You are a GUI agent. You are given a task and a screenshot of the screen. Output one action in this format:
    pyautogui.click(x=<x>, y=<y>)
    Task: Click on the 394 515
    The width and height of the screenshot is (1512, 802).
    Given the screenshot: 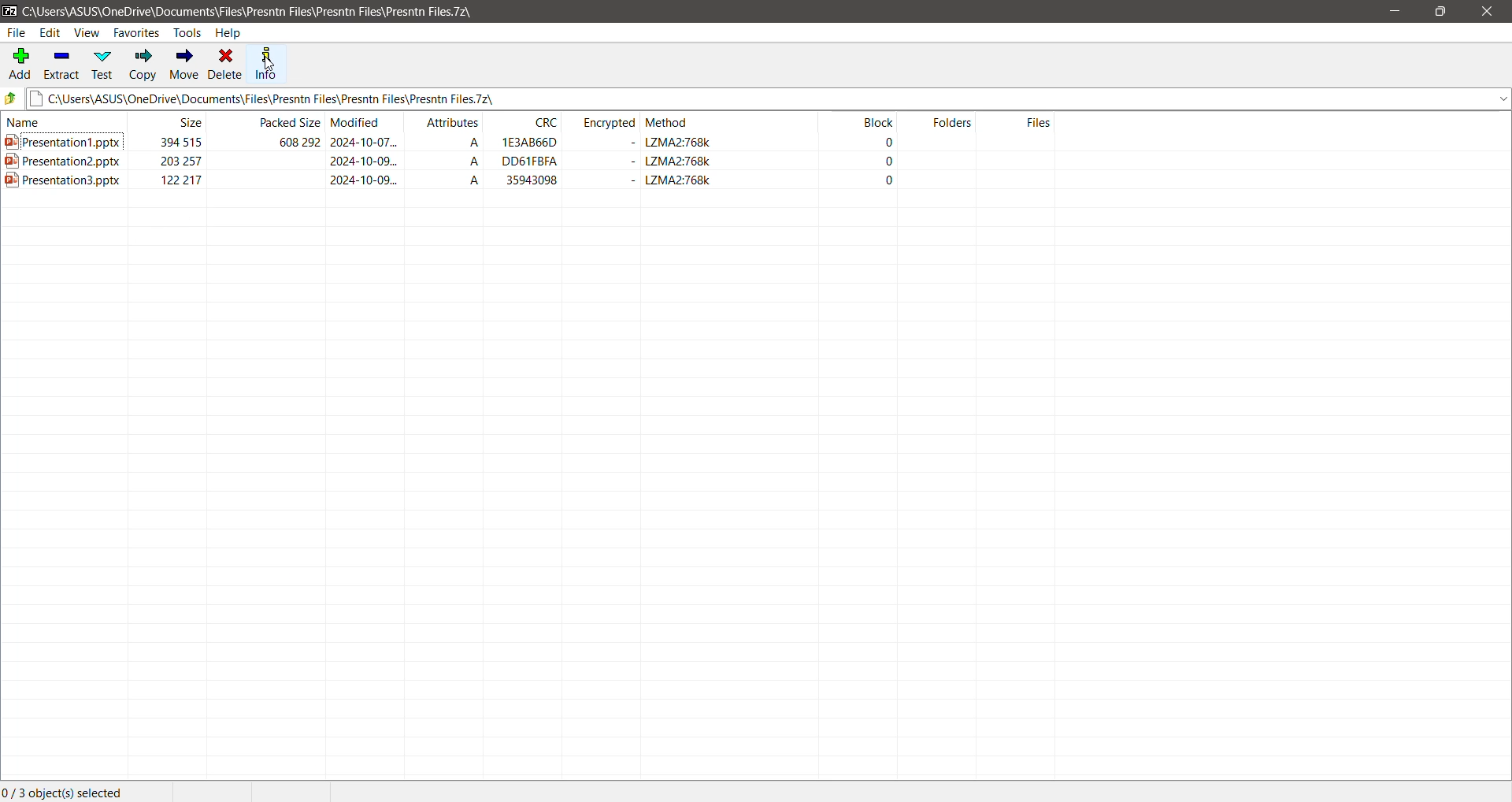 What is the action you would take?
    pyautogui.click(x=168, y=139)
    